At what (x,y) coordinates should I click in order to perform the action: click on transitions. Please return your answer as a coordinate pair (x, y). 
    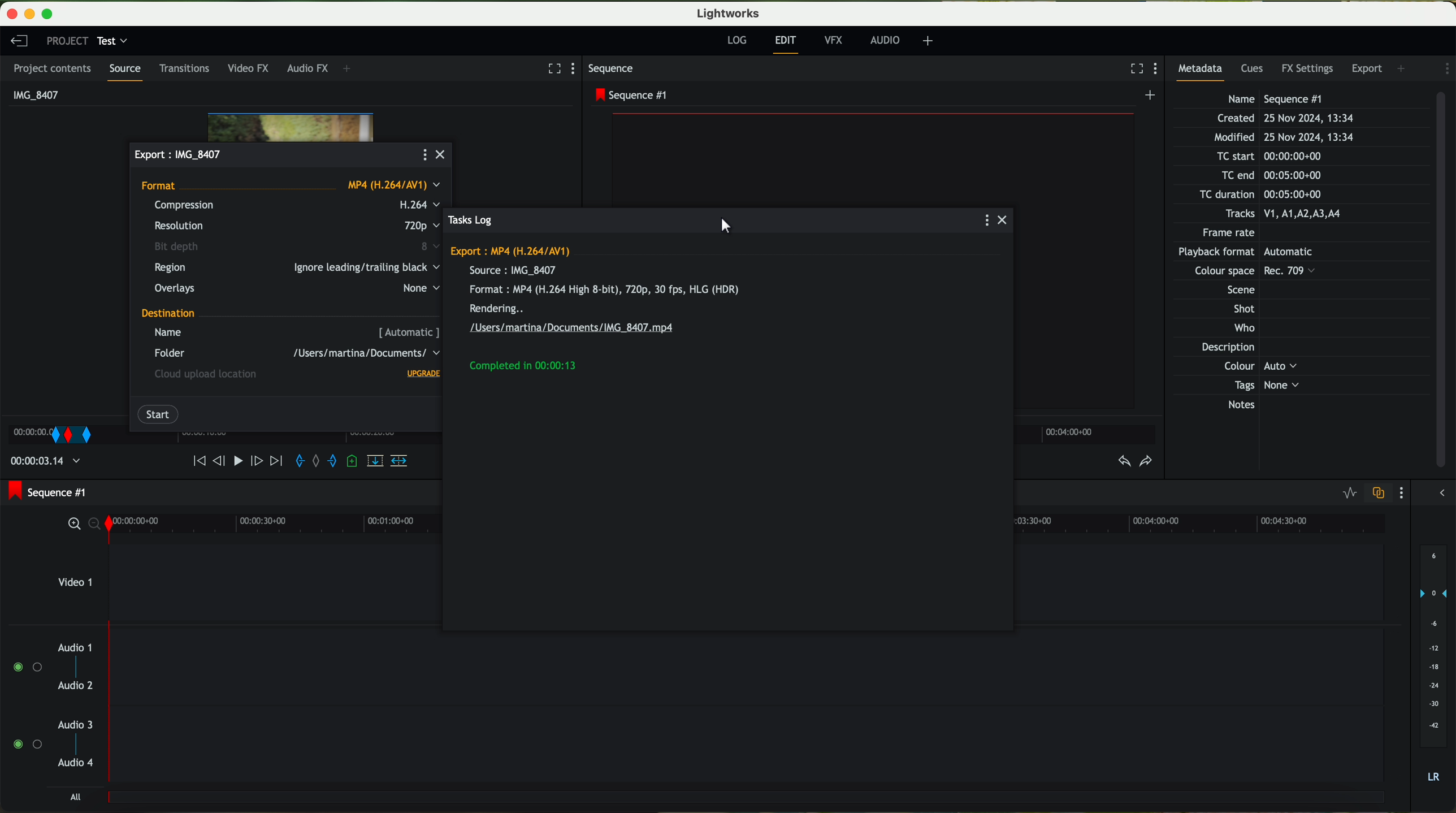
    Looking at the image, I should click on (187, 68).